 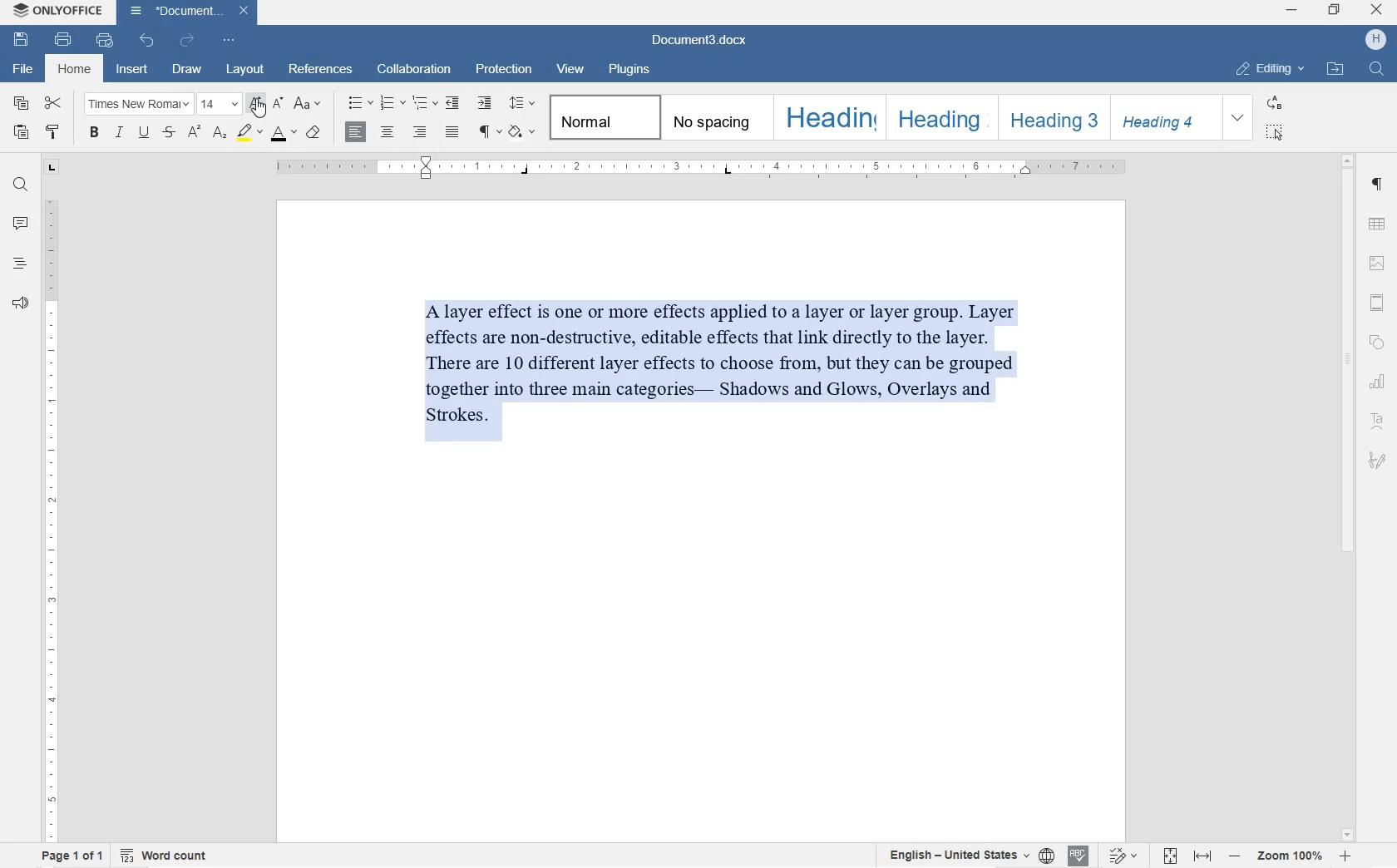 What do you see at coordinates (1273, 69) in the screenshot?
I see `EDITING` at bounding box center [1273, 69].